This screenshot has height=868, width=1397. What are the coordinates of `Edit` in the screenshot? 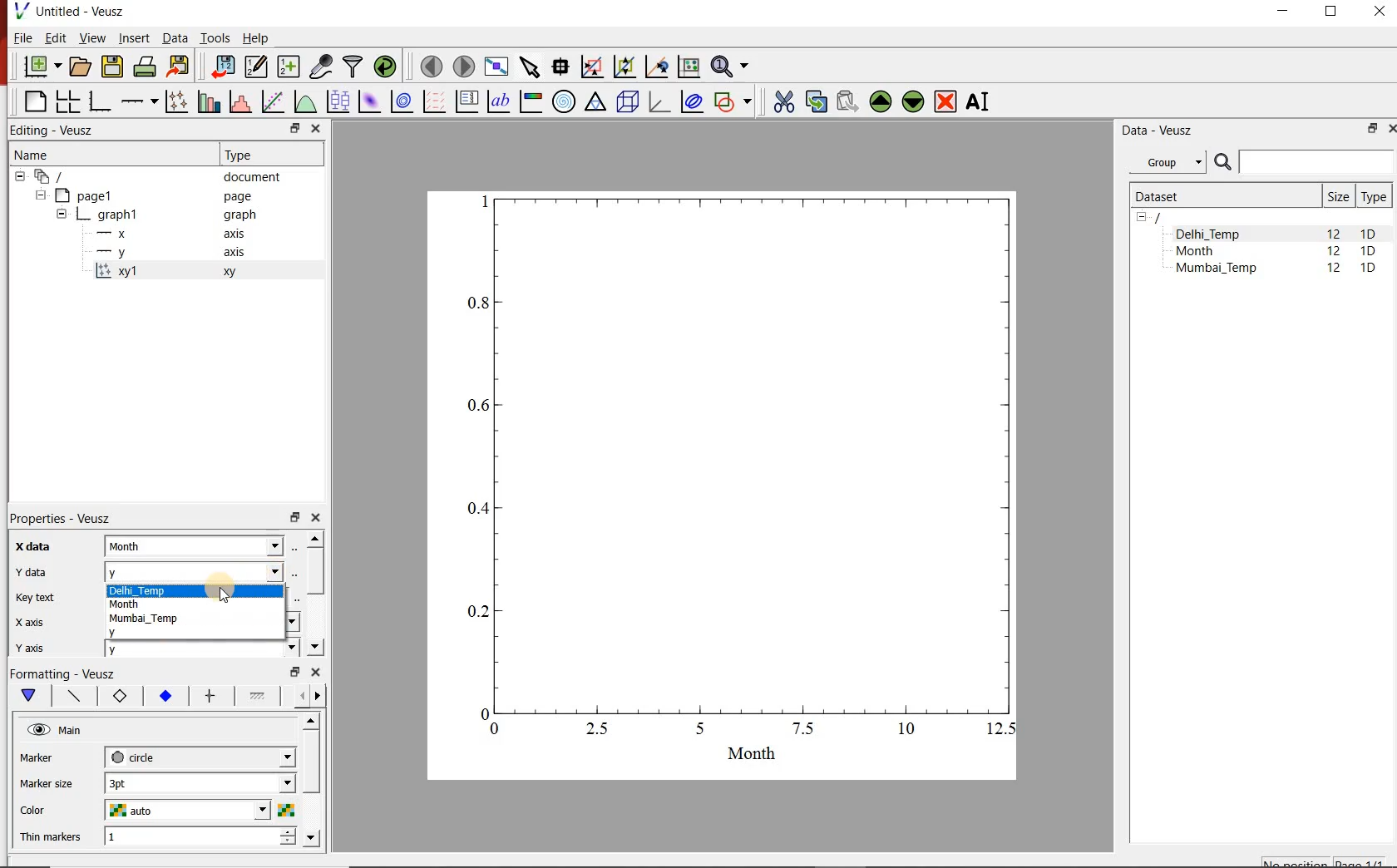 It's located at (54, 37).